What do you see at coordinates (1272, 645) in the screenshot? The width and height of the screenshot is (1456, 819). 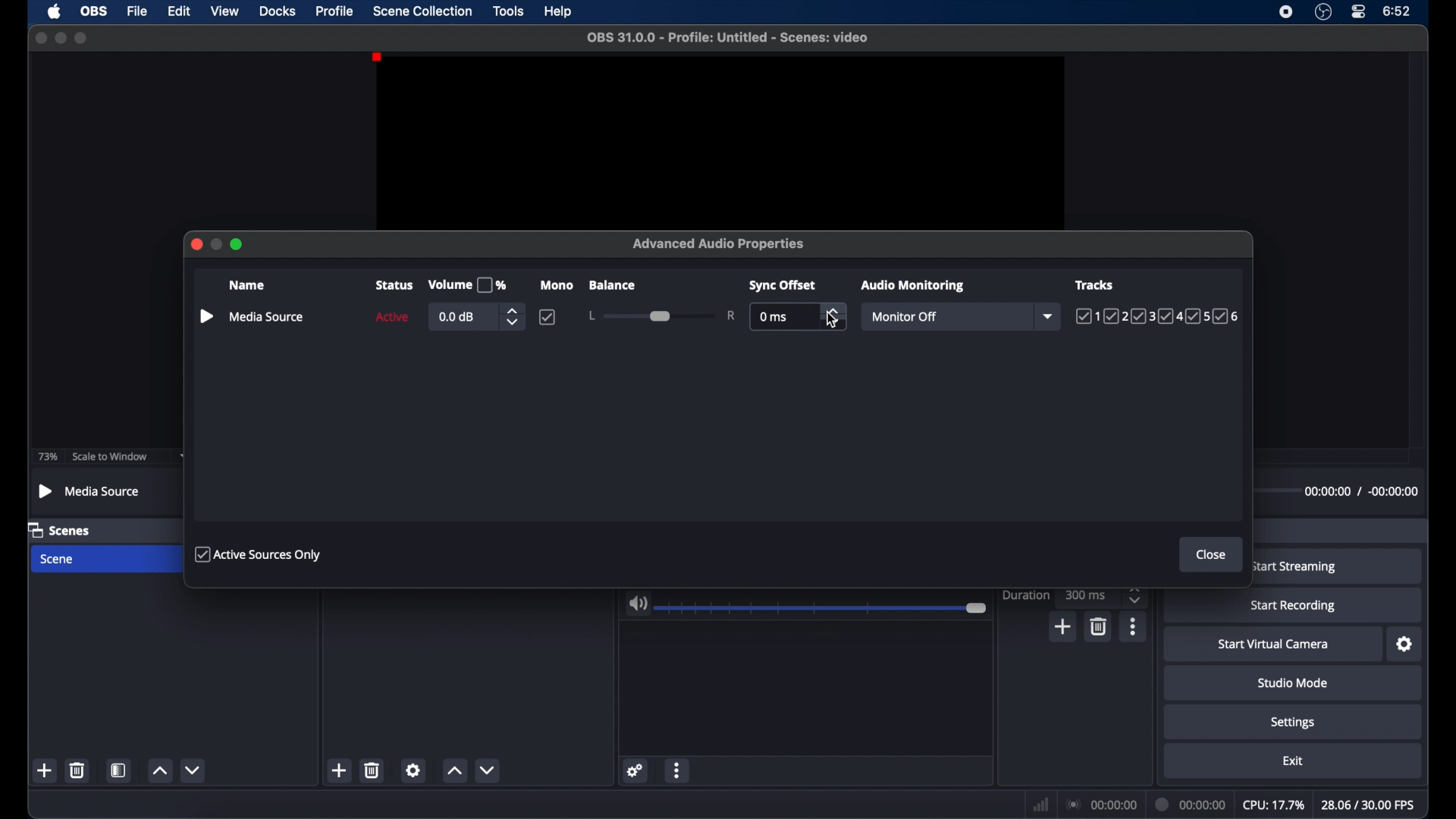 I see `startvirtual camera` at bounding box center [1272, 645].